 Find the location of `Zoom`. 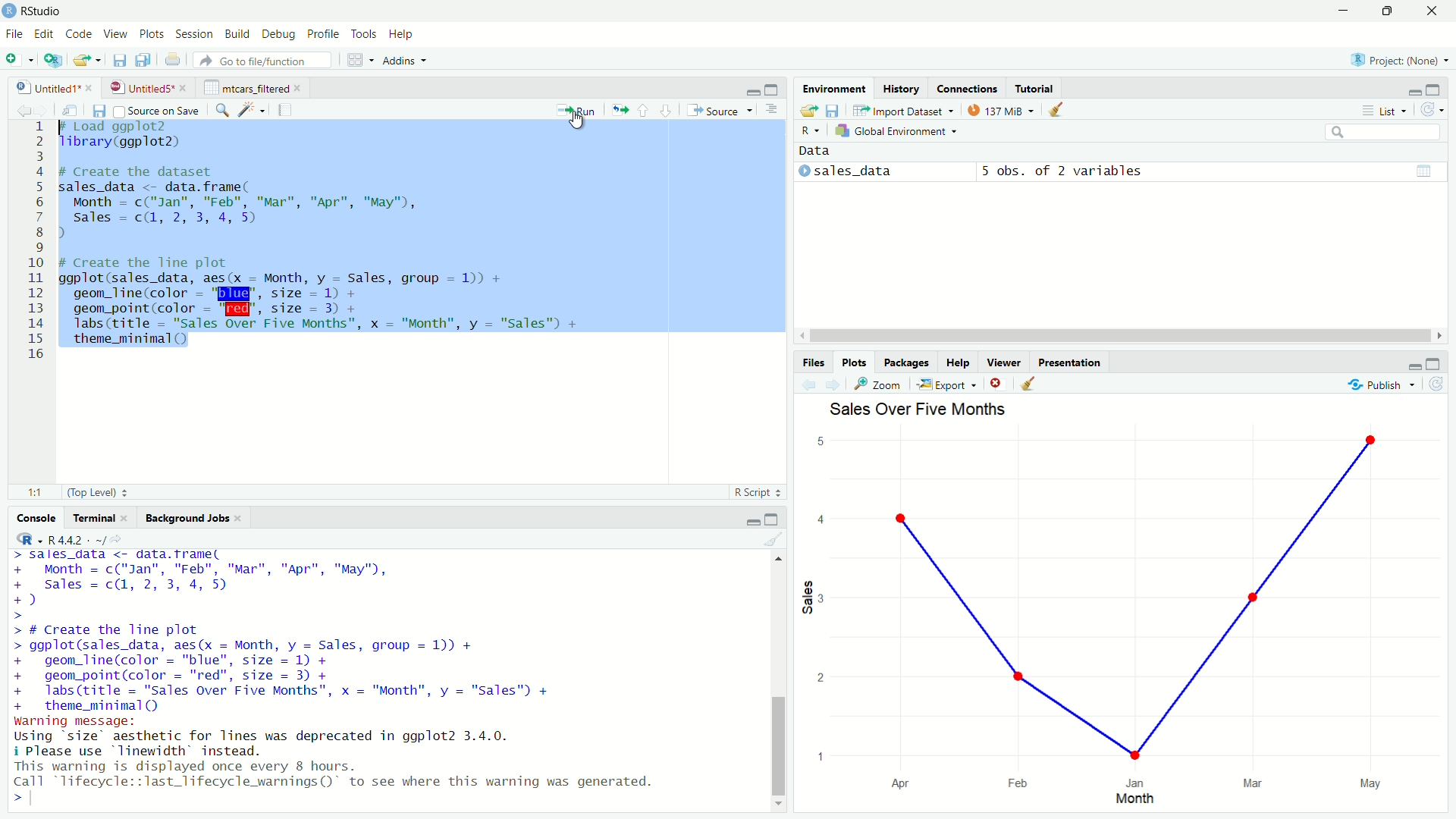

Zoom is located at coordinates (882, 384).